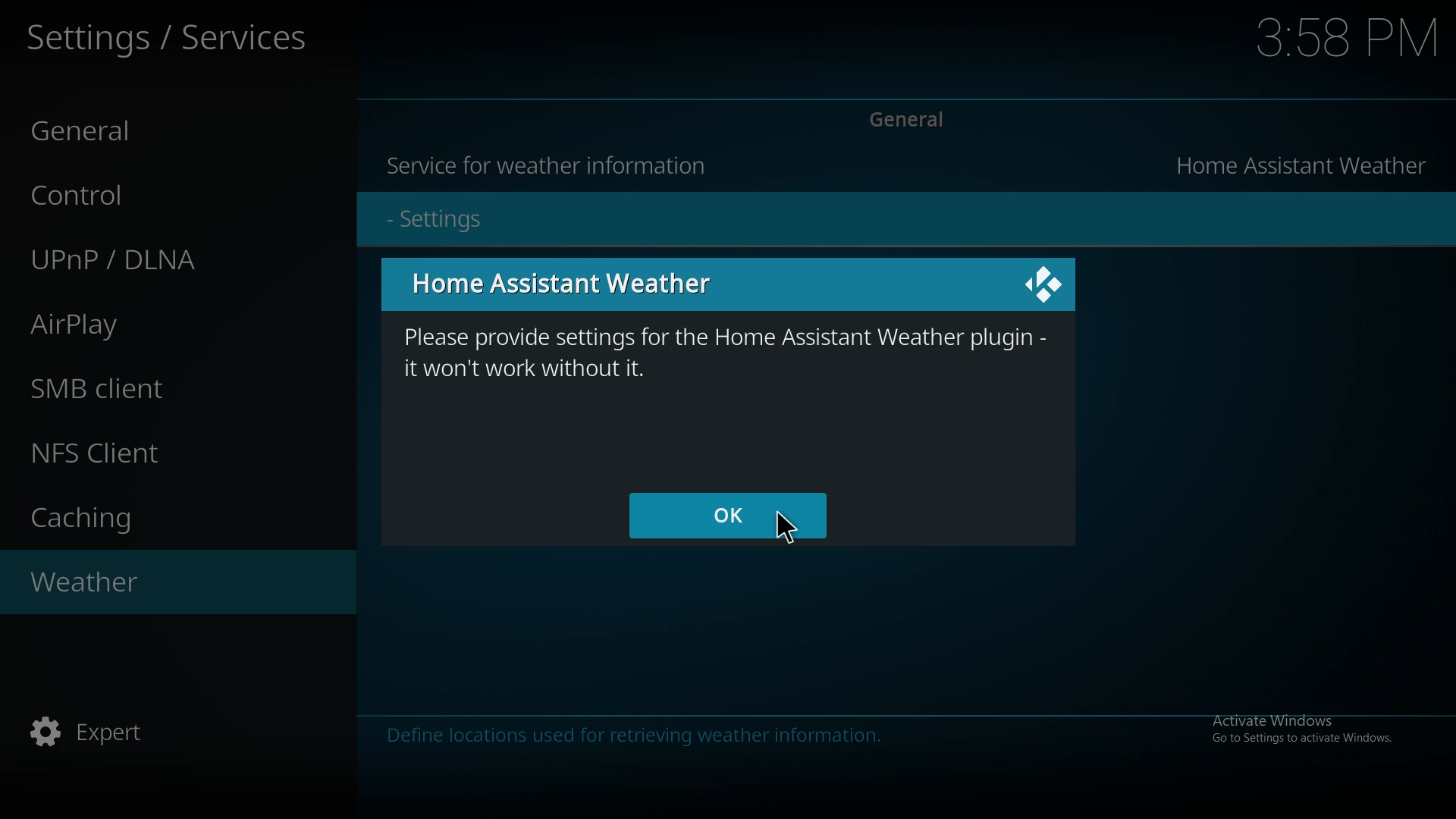 The height and width of the screenshot is (819, 1456). What do you see at coordinates (96, 733) in the screenshot?
I see `Expert` at bounding box center [96, 733].